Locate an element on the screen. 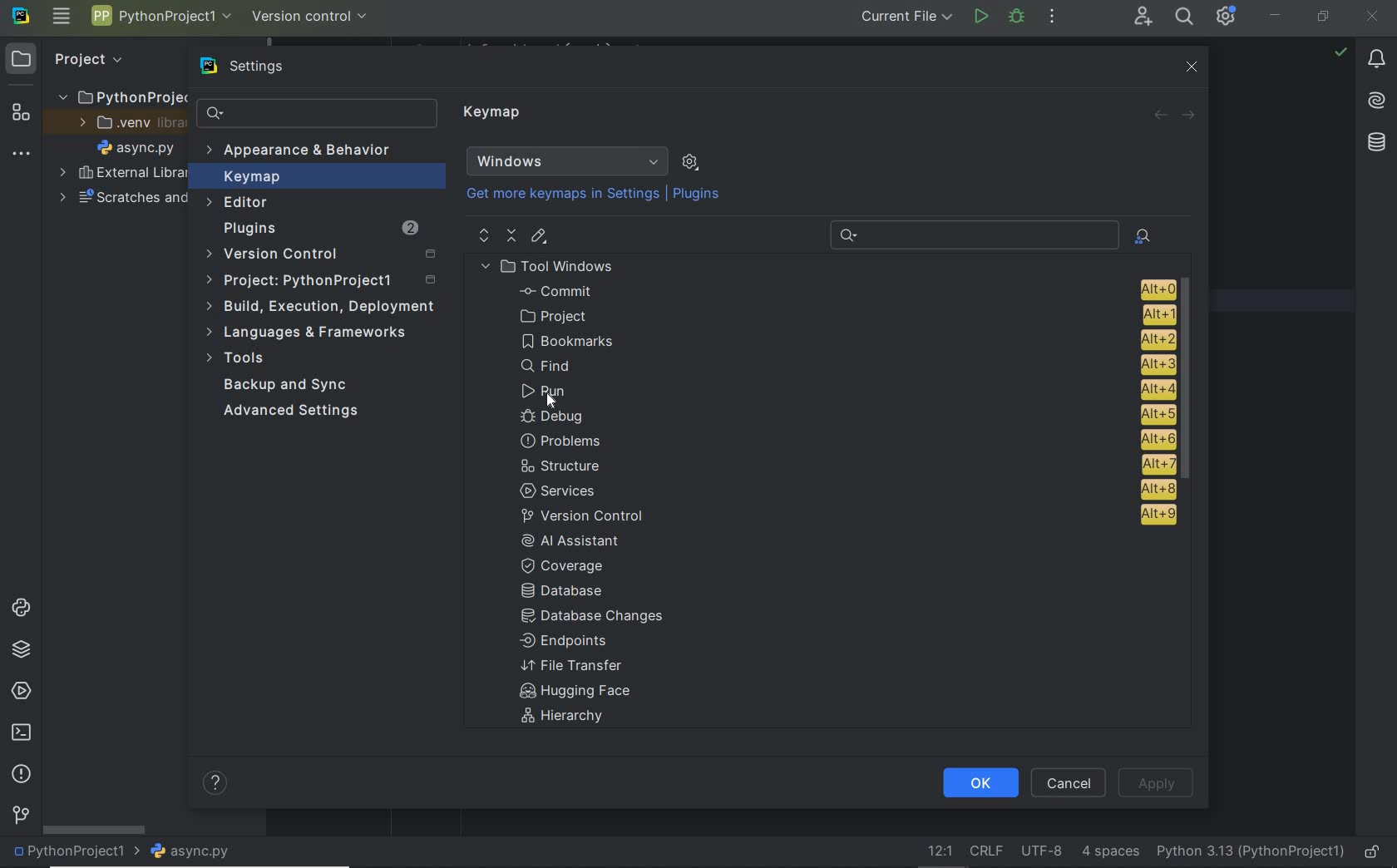 This screenshot has width=1397, height=868. problems is located at coordinates (847, 440).